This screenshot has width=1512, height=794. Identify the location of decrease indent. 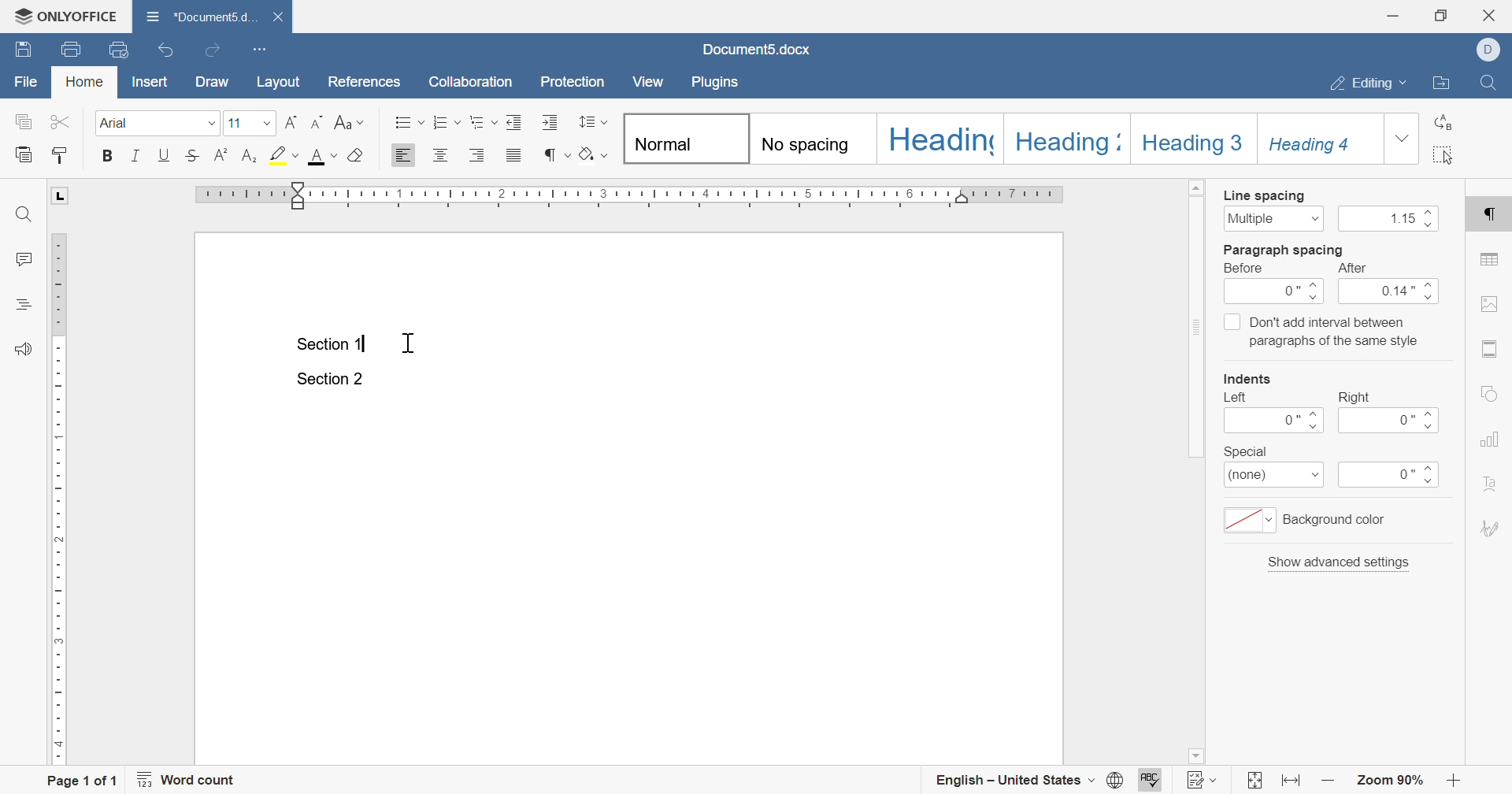
(317, 121).